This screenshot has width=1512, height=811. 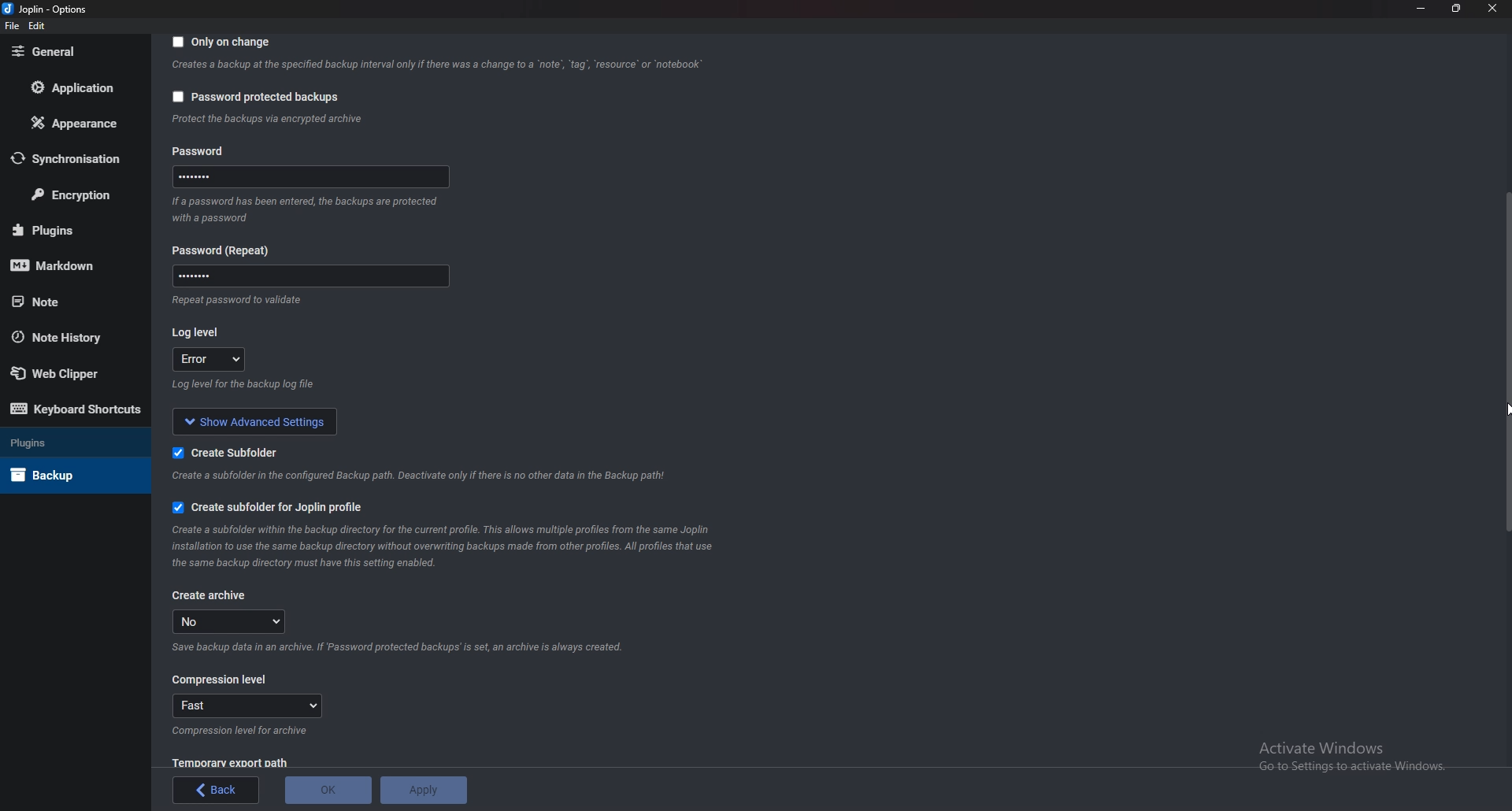 What do you see at coordinates (69, 336) in the screenshot?
I see `Note history` at bounding box center [69, 336].